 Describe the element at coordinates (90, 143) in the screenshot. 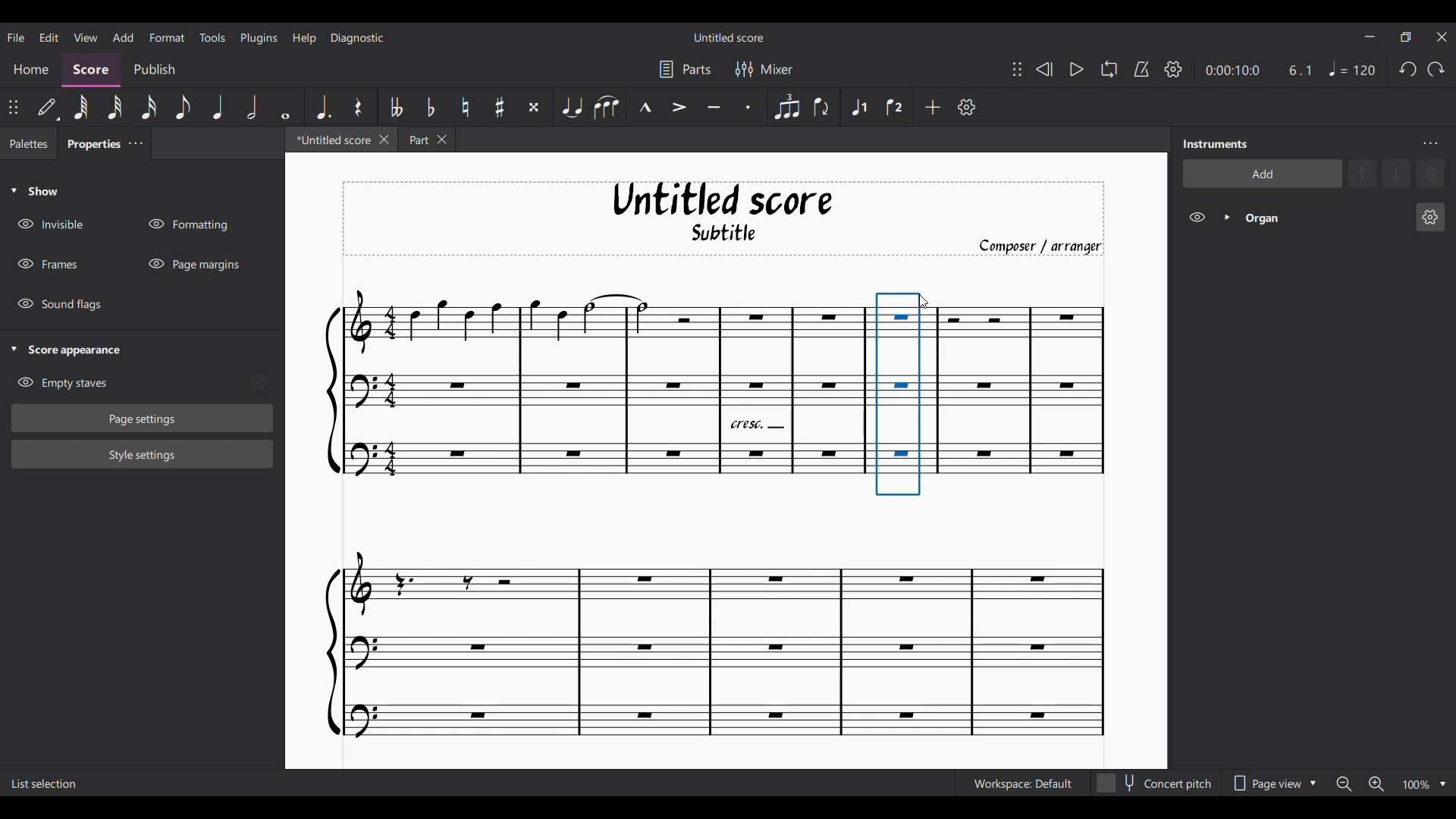

I see `Properties tab, current tab` at that location.